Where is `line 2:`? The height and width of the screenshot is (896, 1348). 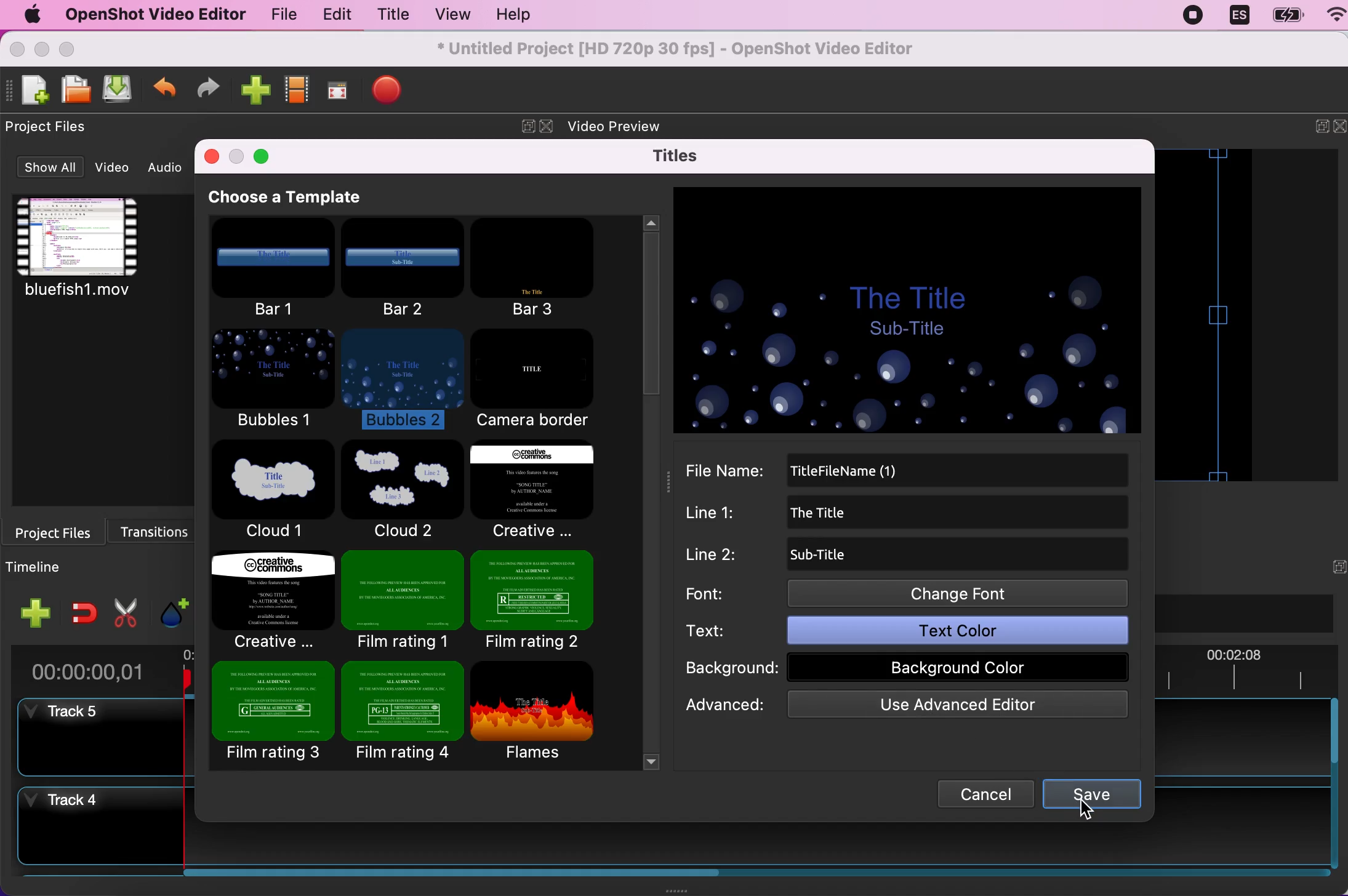
line 2: is located at coordinates (723, 555).